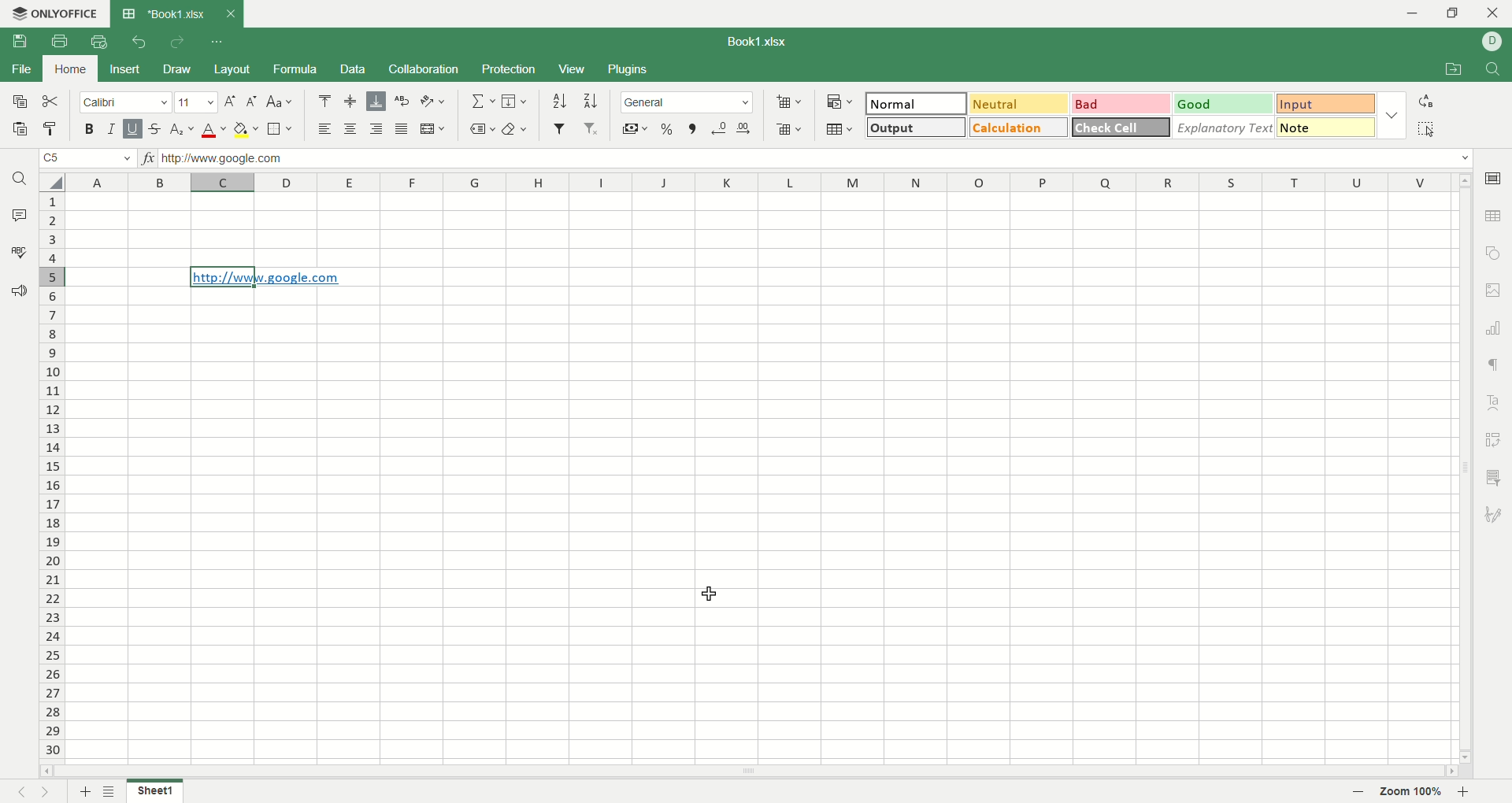 The width and height of the screenshot is (1512, 803). I want to click on accounting style, so click(635, 128).